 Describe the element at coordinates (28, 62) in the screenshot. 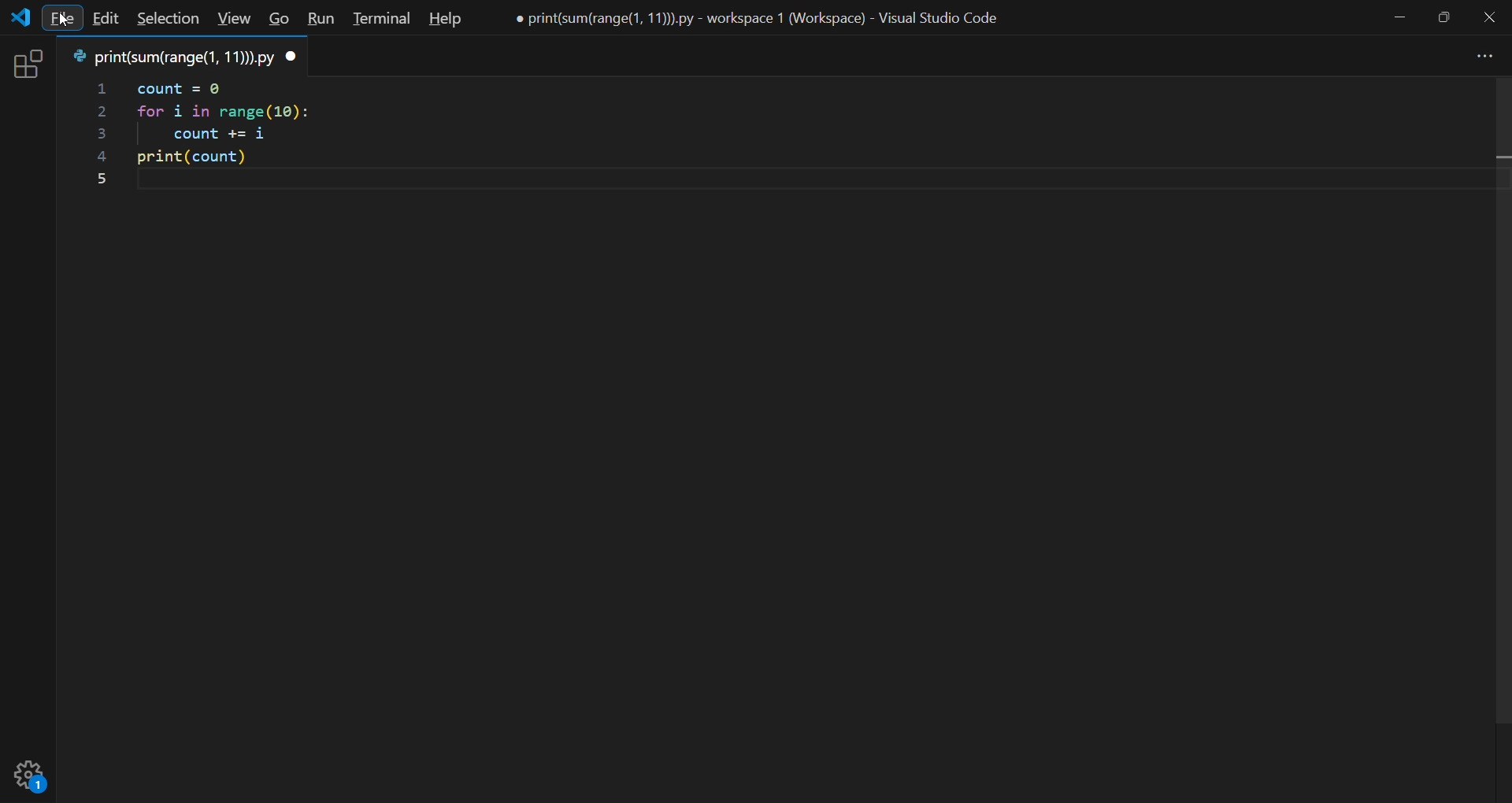

I see `extension` at that location.